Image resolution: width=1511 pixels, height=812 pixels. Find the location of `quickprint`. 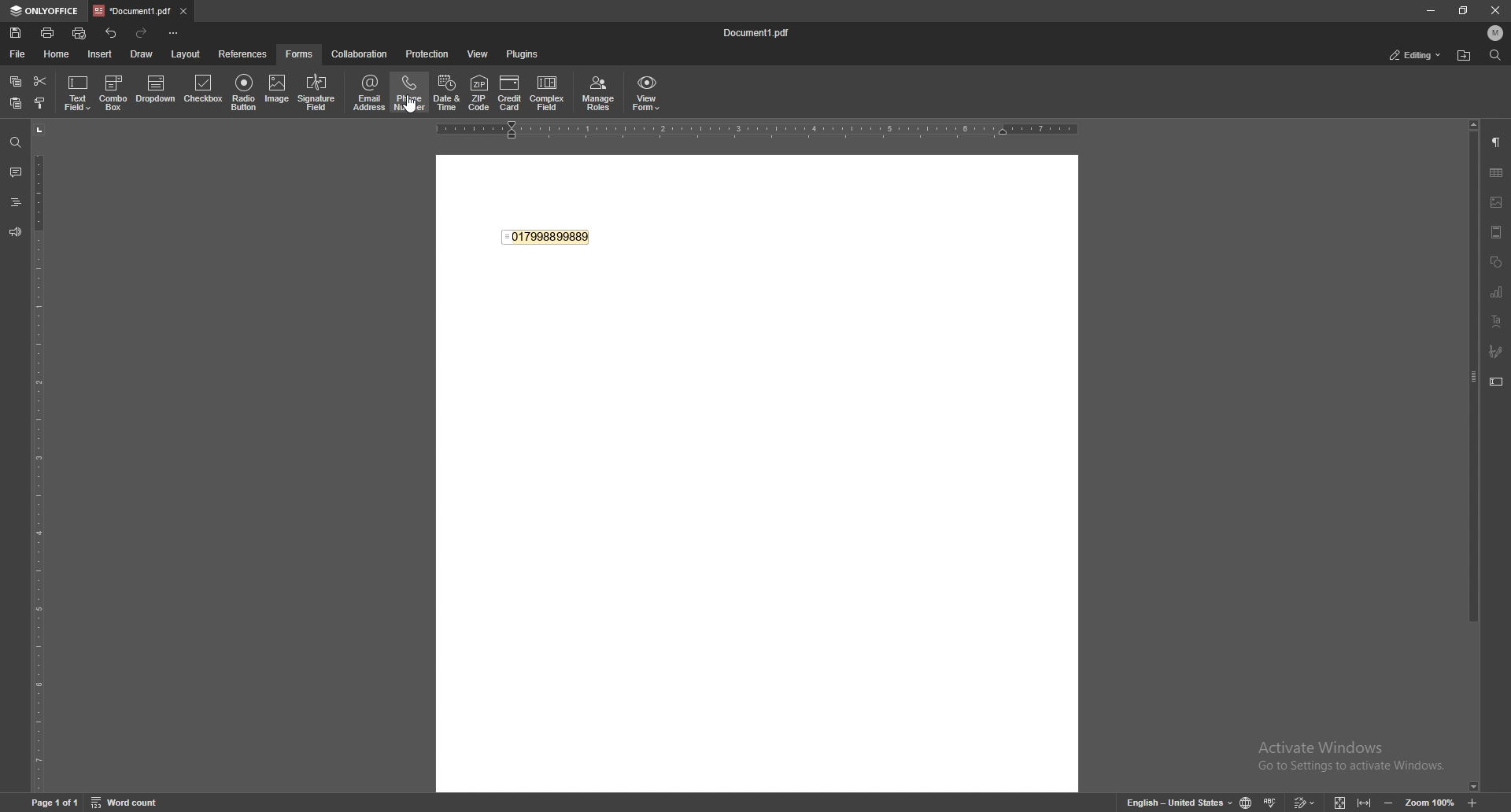

quickprint is located at coordinates (79, 34).